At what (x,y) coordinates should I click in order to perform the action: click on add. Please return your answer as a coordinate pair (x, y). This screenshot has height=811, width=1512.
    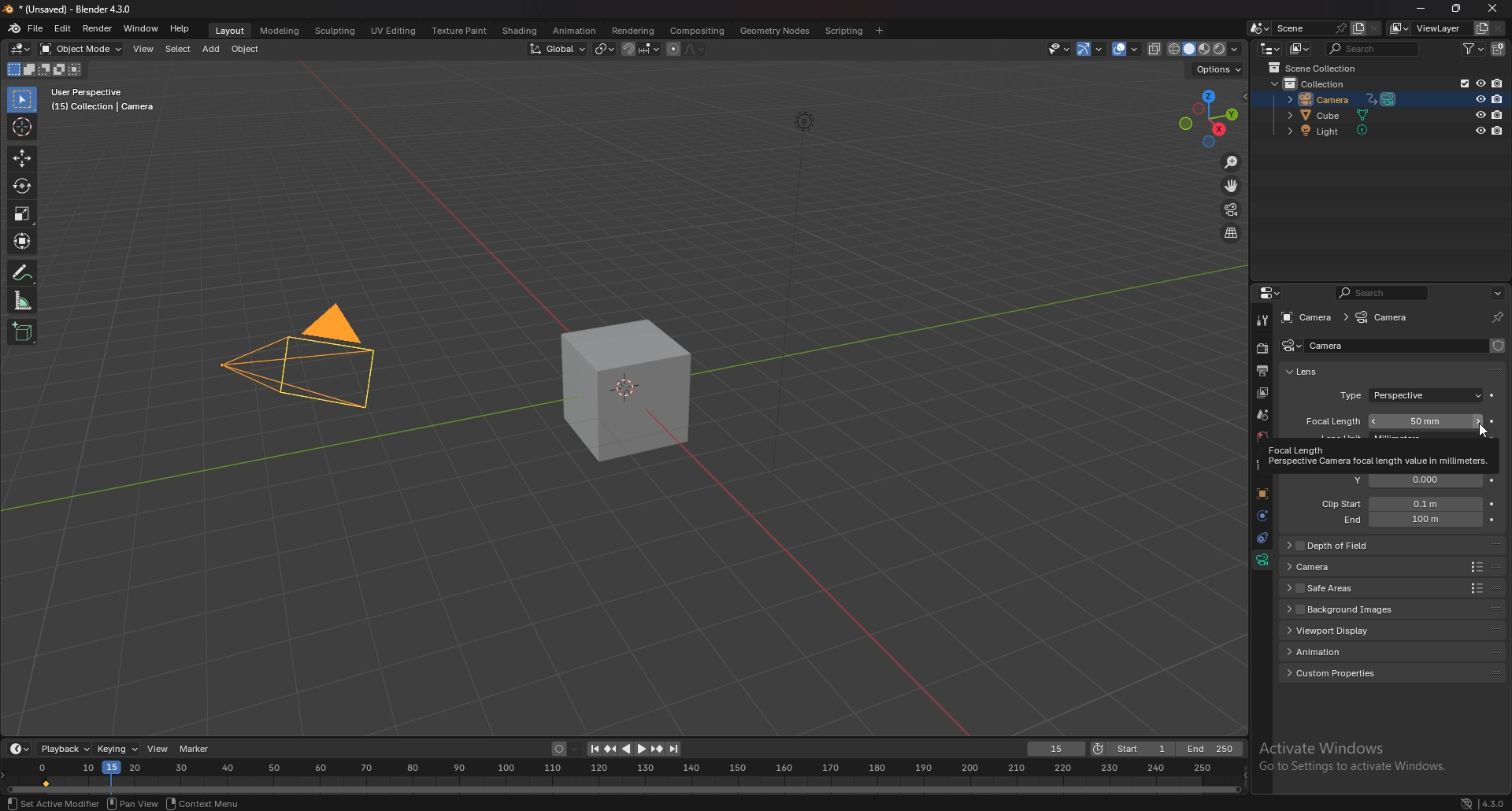
    Looking at the image, I should click on (211, 50).